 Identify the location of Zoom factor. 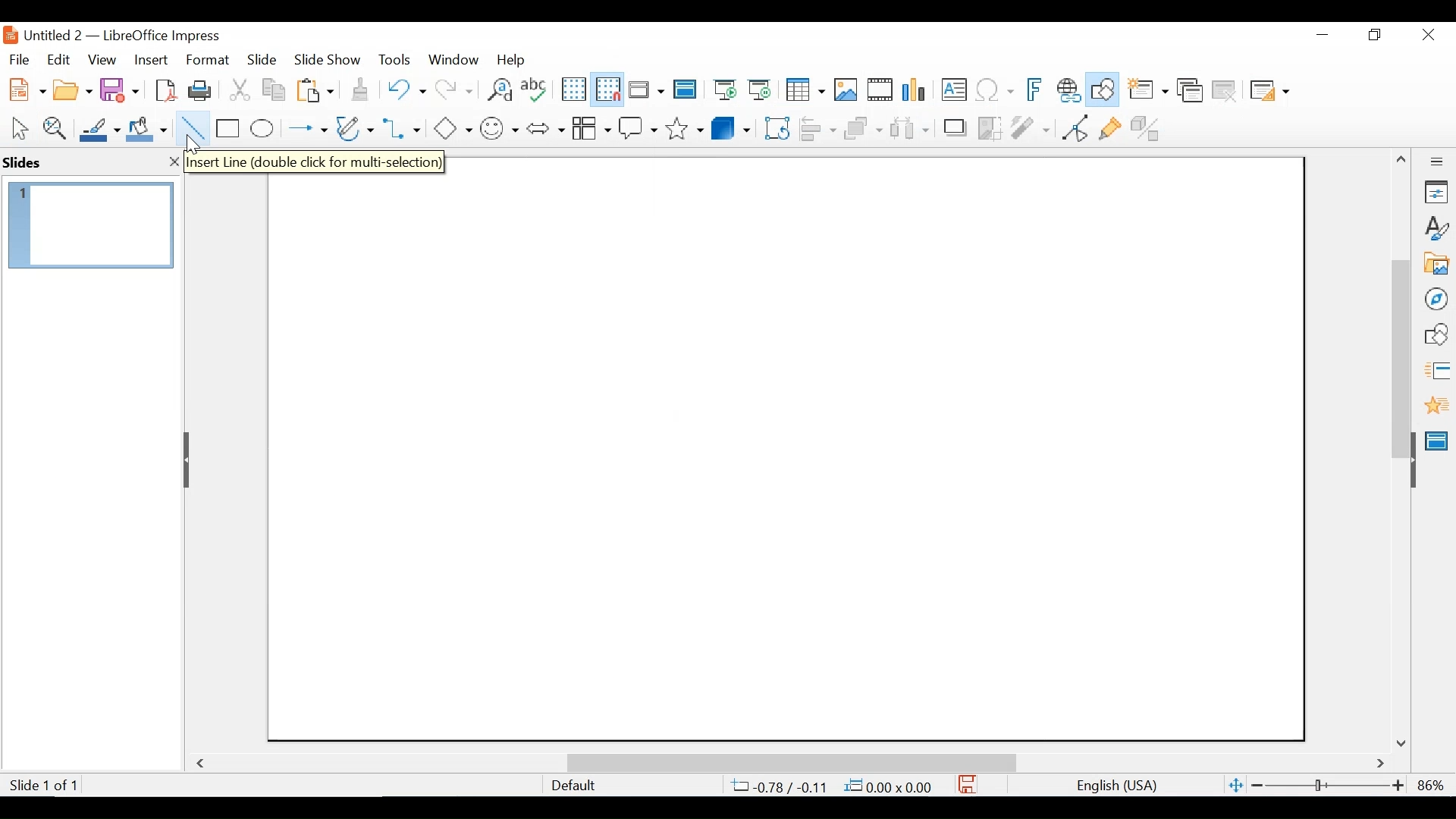
(1433, 783).